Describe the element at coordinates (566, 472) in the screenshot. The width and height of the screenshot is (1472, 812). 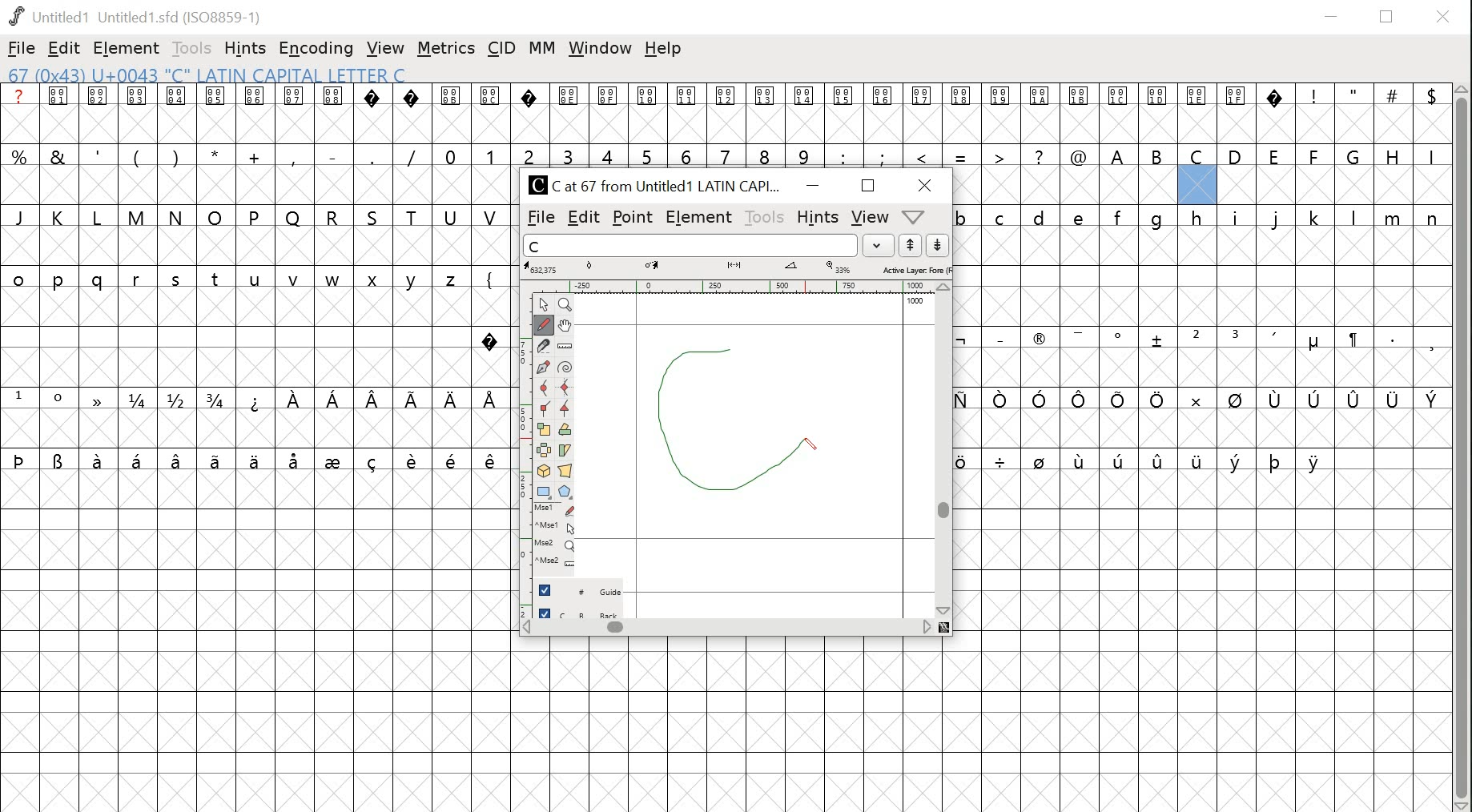
I see `perspective` at that location.